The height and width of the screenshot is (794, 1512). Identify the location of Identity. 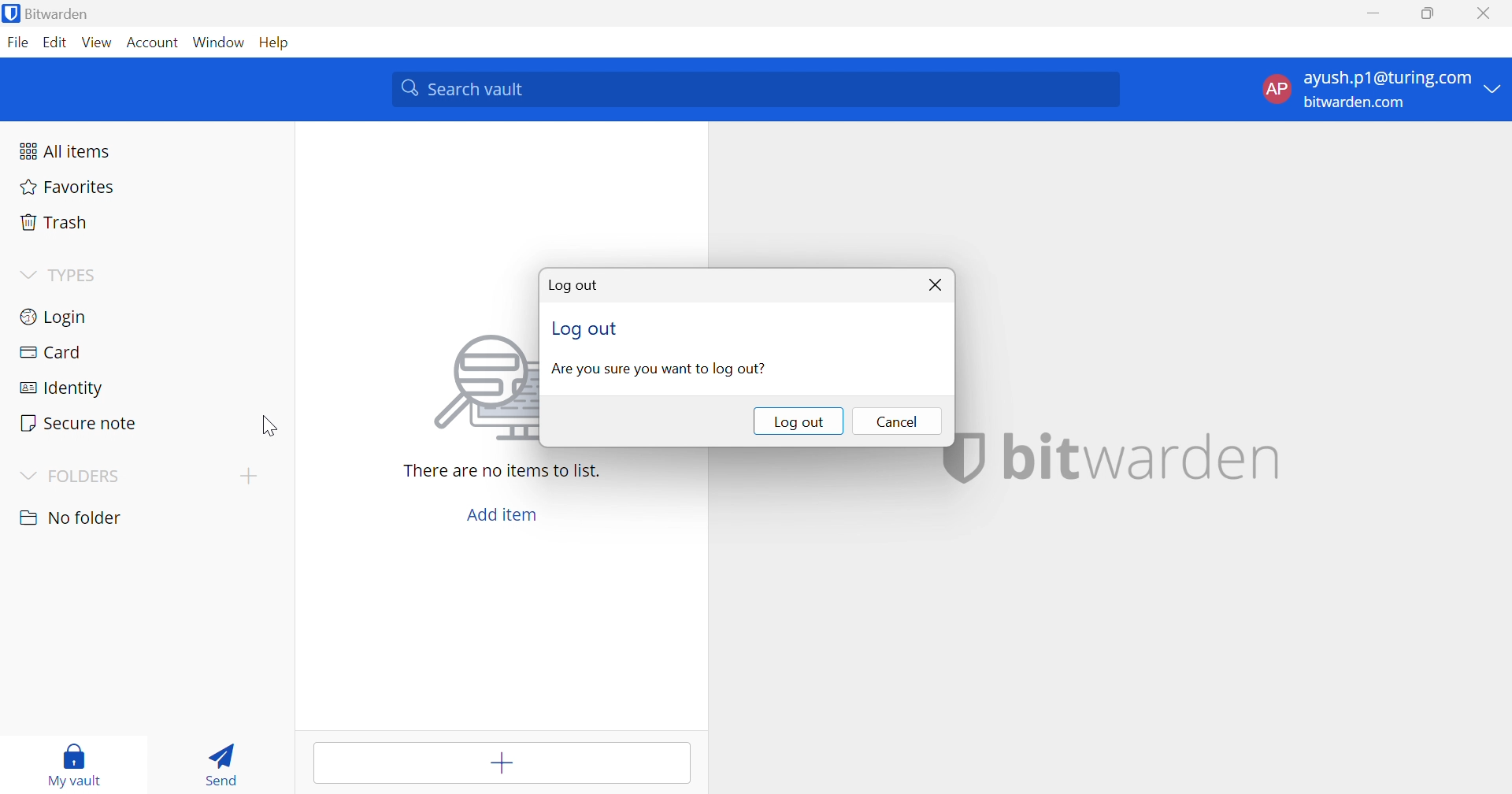
(62, 387).